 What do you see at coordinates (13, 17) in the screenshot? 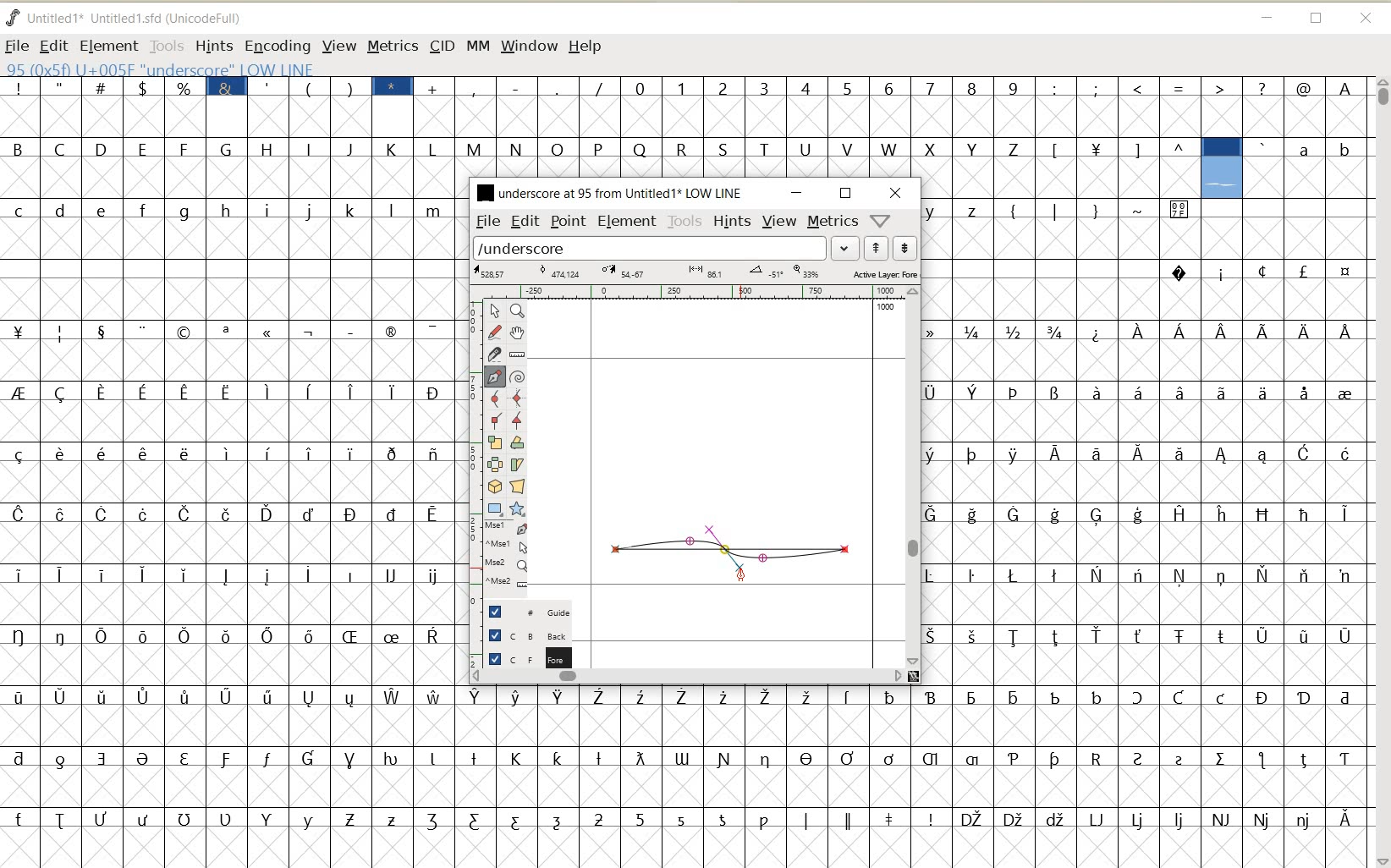
I see `FONTFORGE` at bounding box center [13, 17].